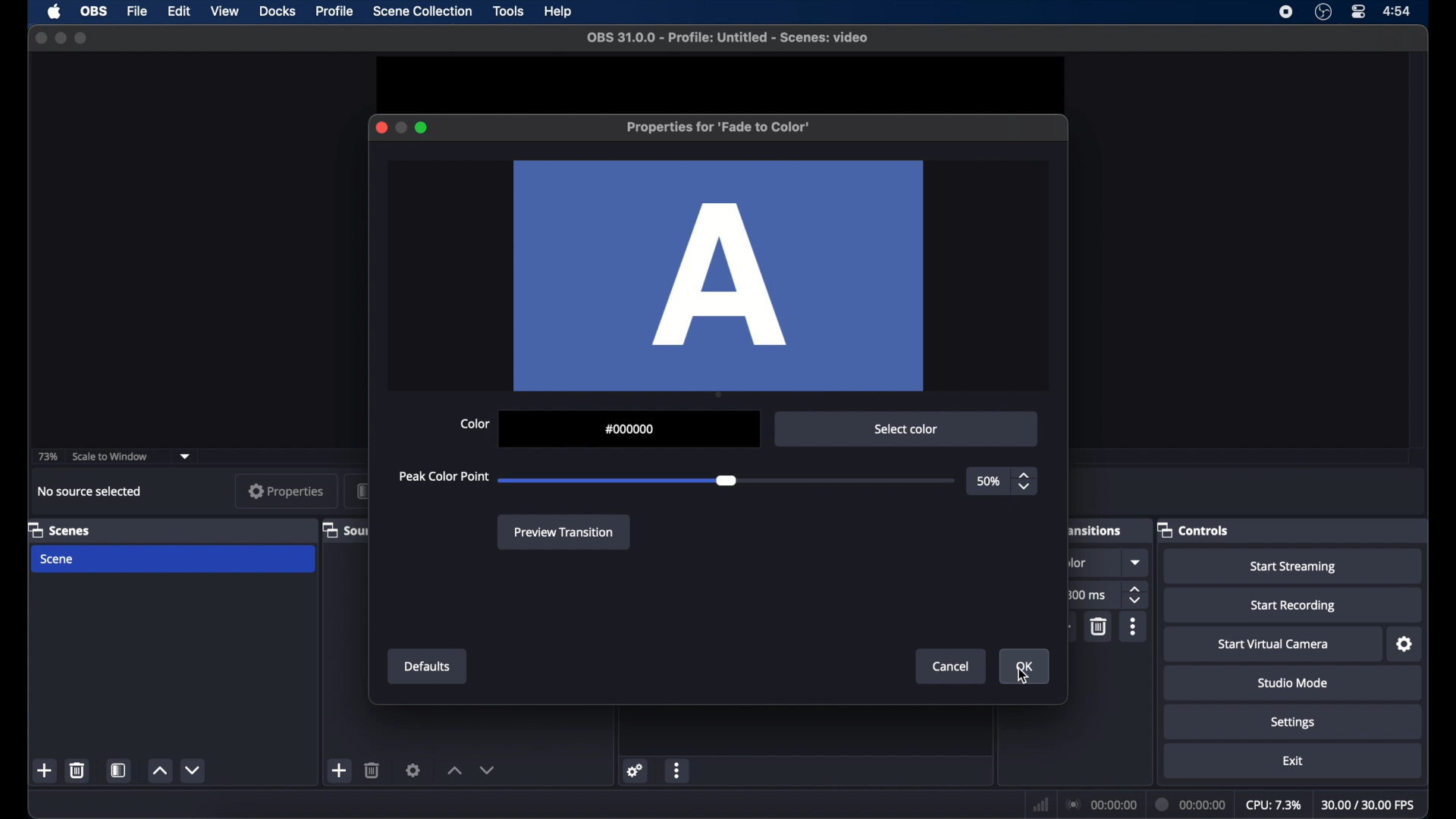 The width and height of the screenshot is (1456, 819). I want to click on fps, so click(1370, 805).